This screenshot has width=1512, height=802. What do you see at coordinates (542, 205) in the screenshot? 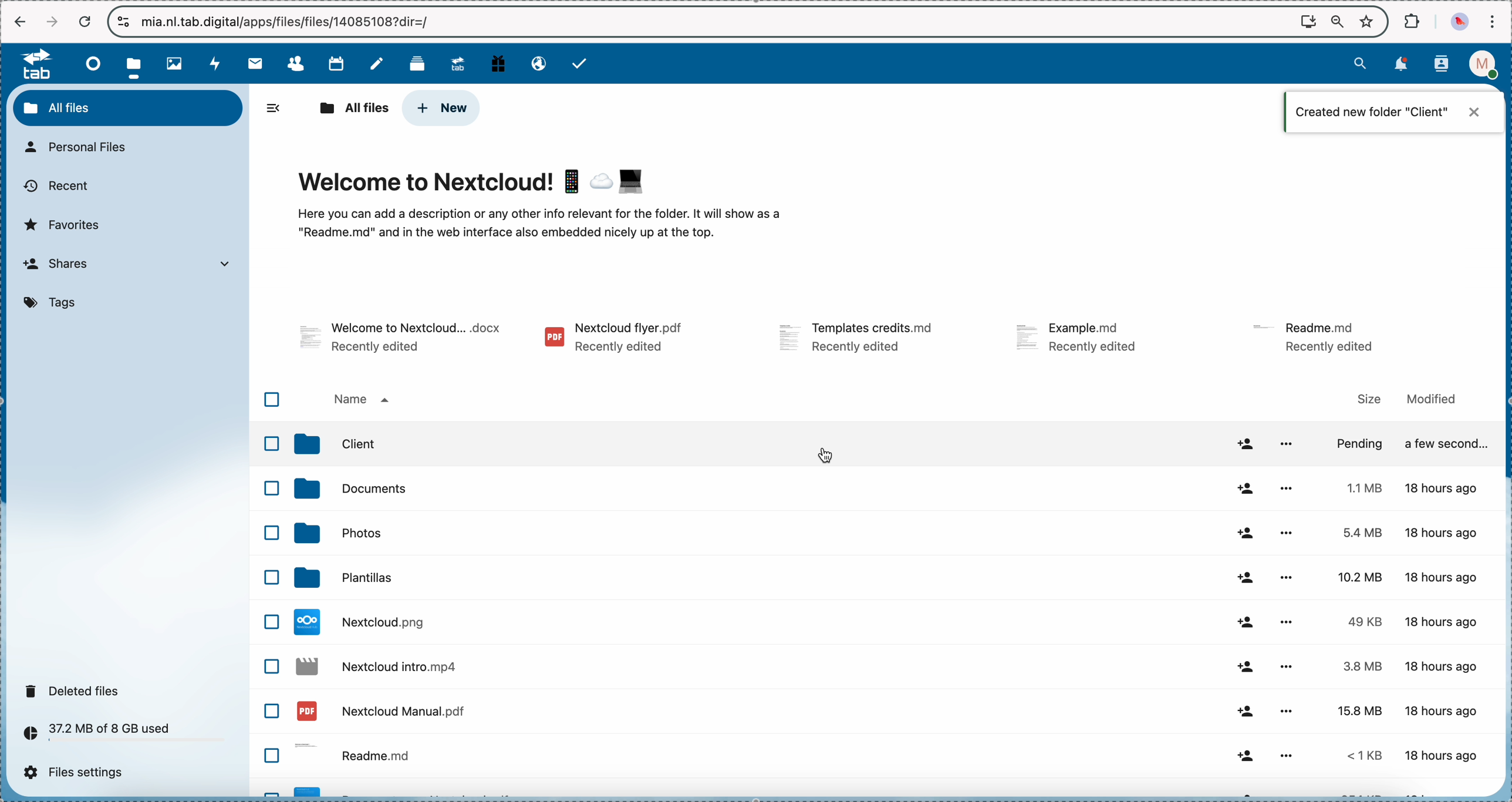
I see `welcome to Nextcloud` at bounding box center [542, 205].